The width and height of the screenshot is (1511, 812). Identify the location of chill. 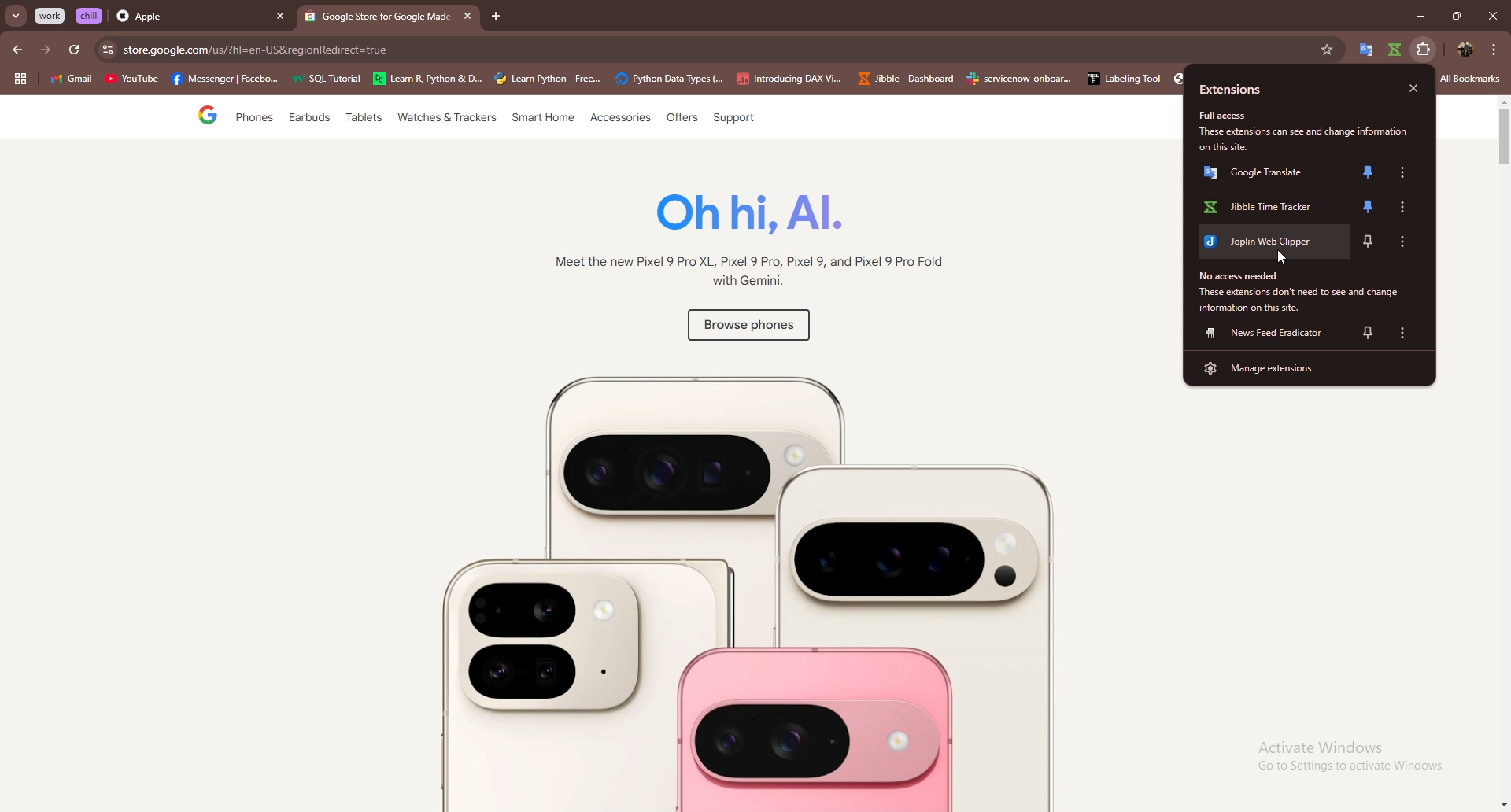
(91, 15).